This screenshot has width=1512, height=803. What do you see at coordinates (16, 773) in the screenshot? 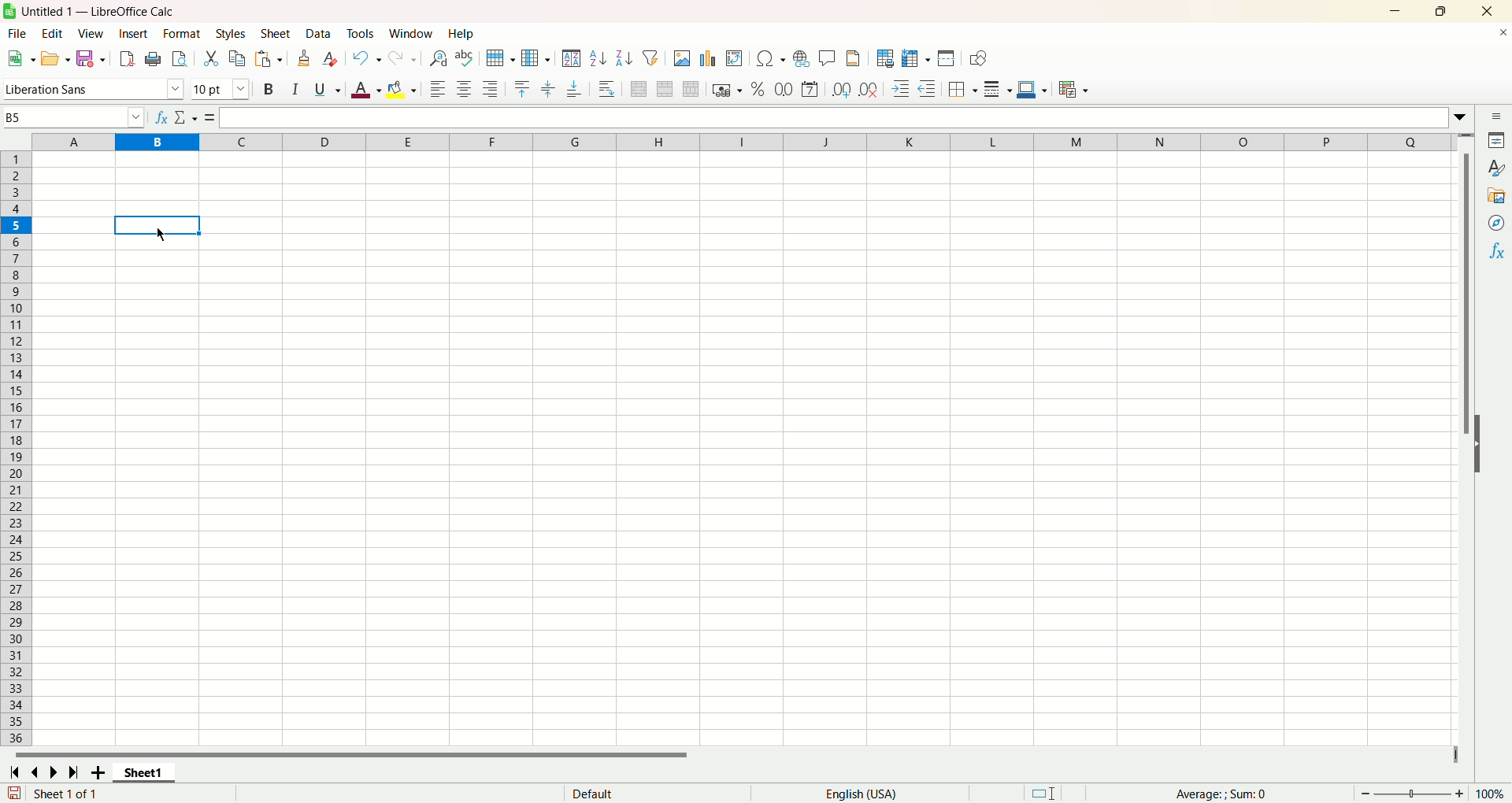
I see `scroll to first sheet` at bounding box center [16, 773].